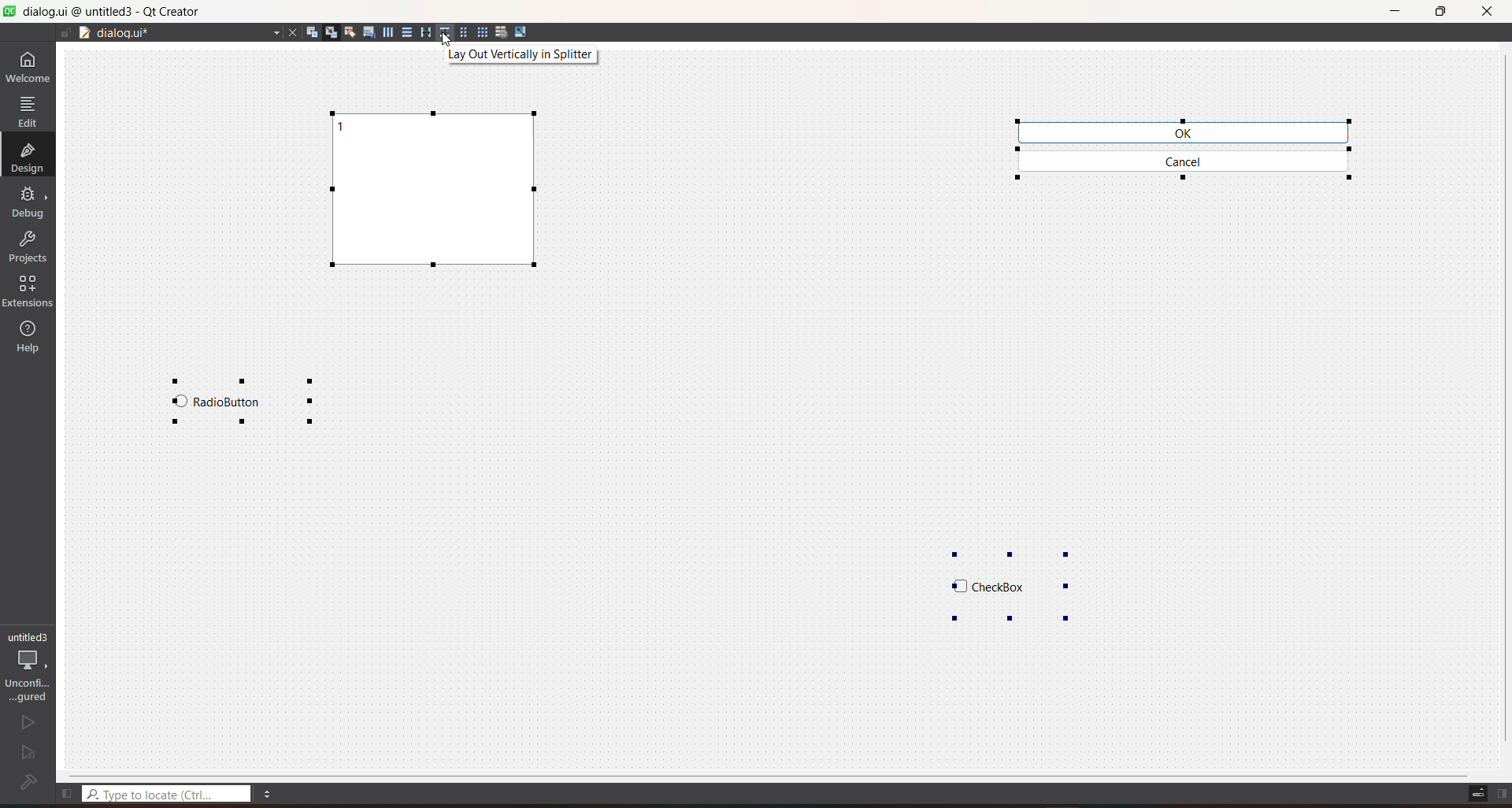 The width and height of the screenshot is (1512, 808). Describe the element at coordinates (187, 33) in the screenshot. I see `current file name` at that location.